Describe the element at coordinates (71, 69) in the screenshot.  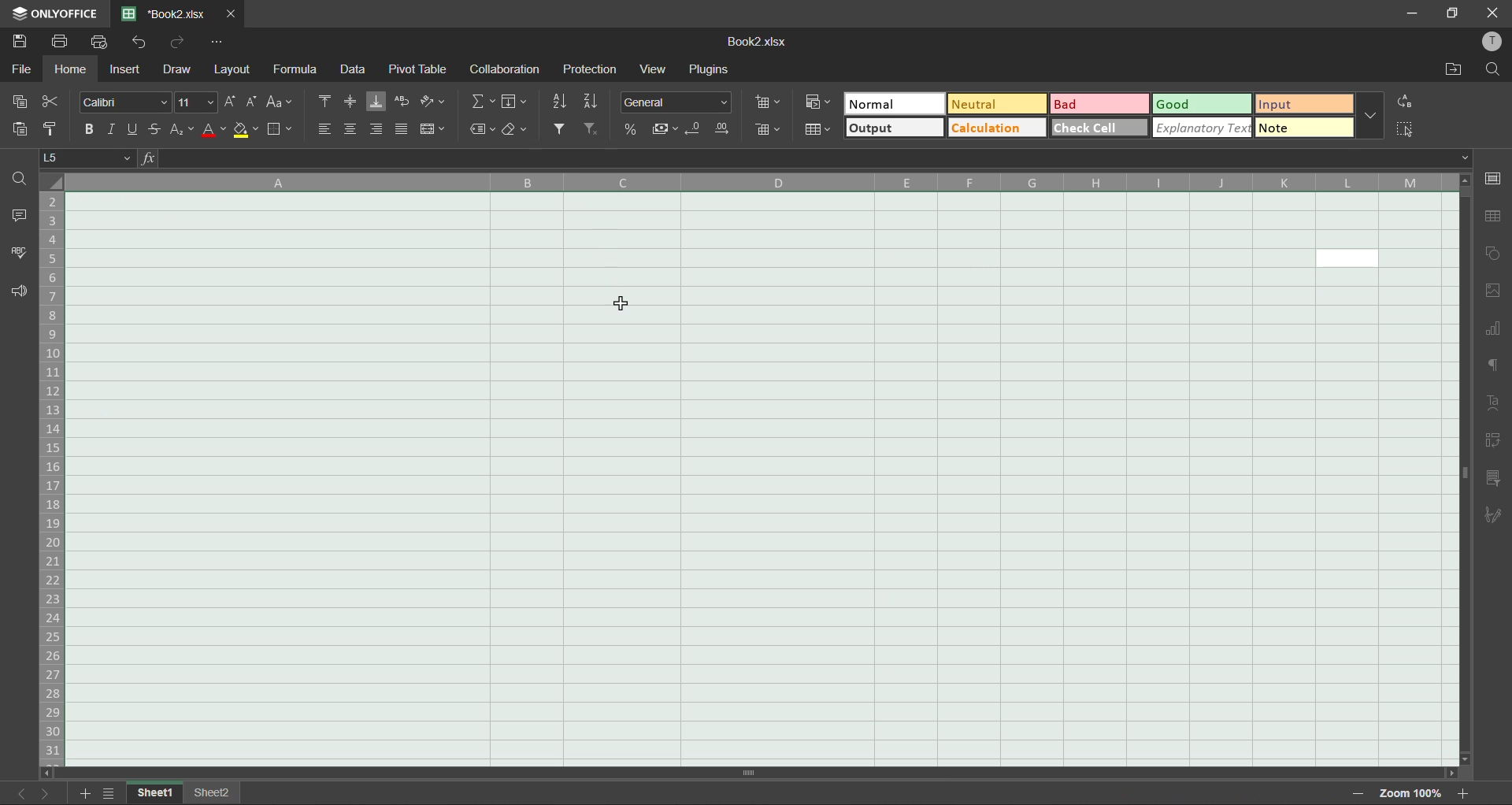
I see `home` at that location.